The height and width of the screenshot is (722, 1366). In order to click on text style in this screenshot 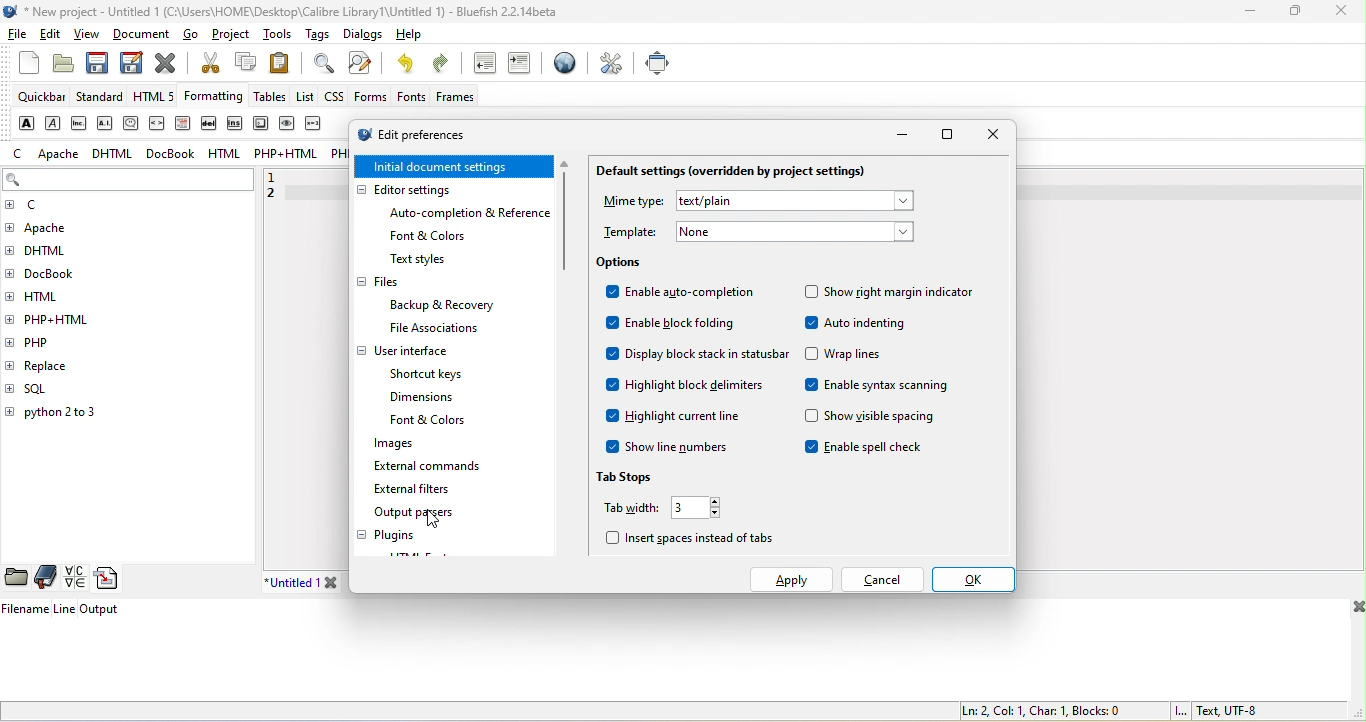, I will do `click(419, 260)`.